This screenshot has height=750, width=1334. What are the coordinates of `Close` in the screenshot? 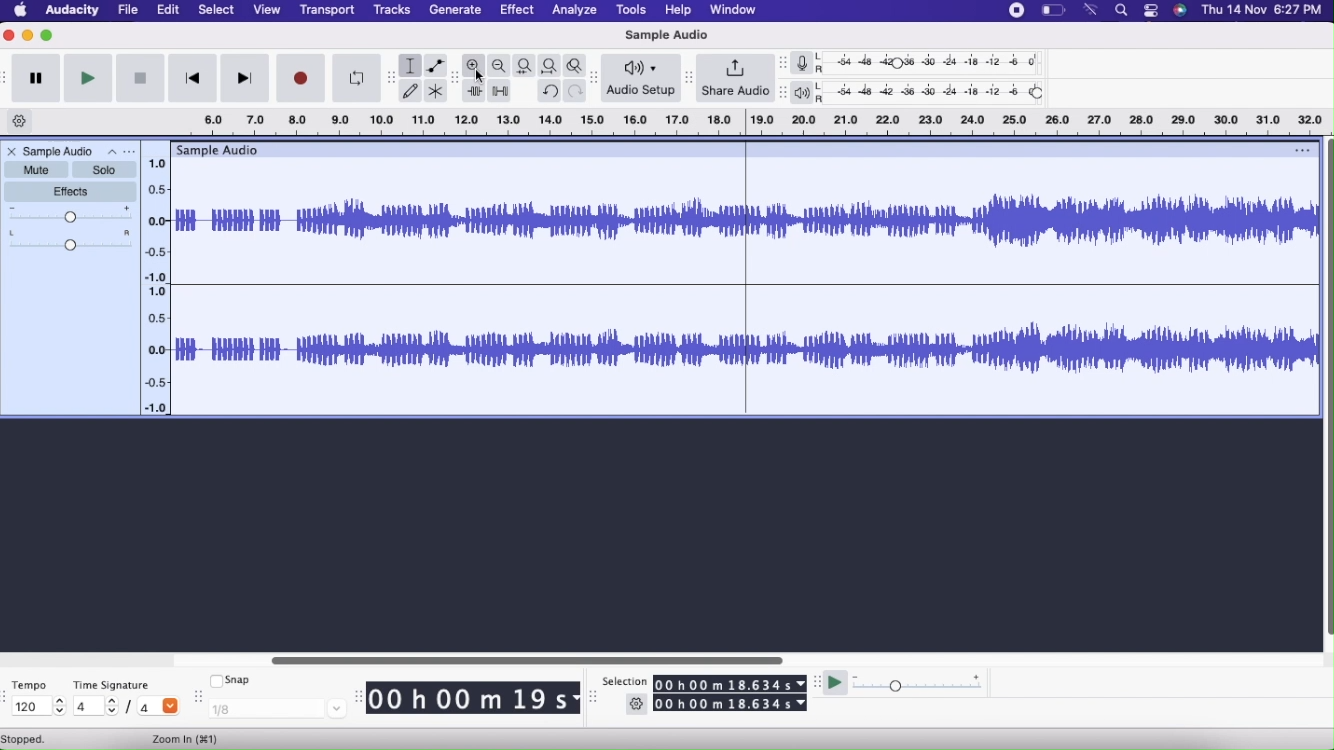 It's located at (10, 151).